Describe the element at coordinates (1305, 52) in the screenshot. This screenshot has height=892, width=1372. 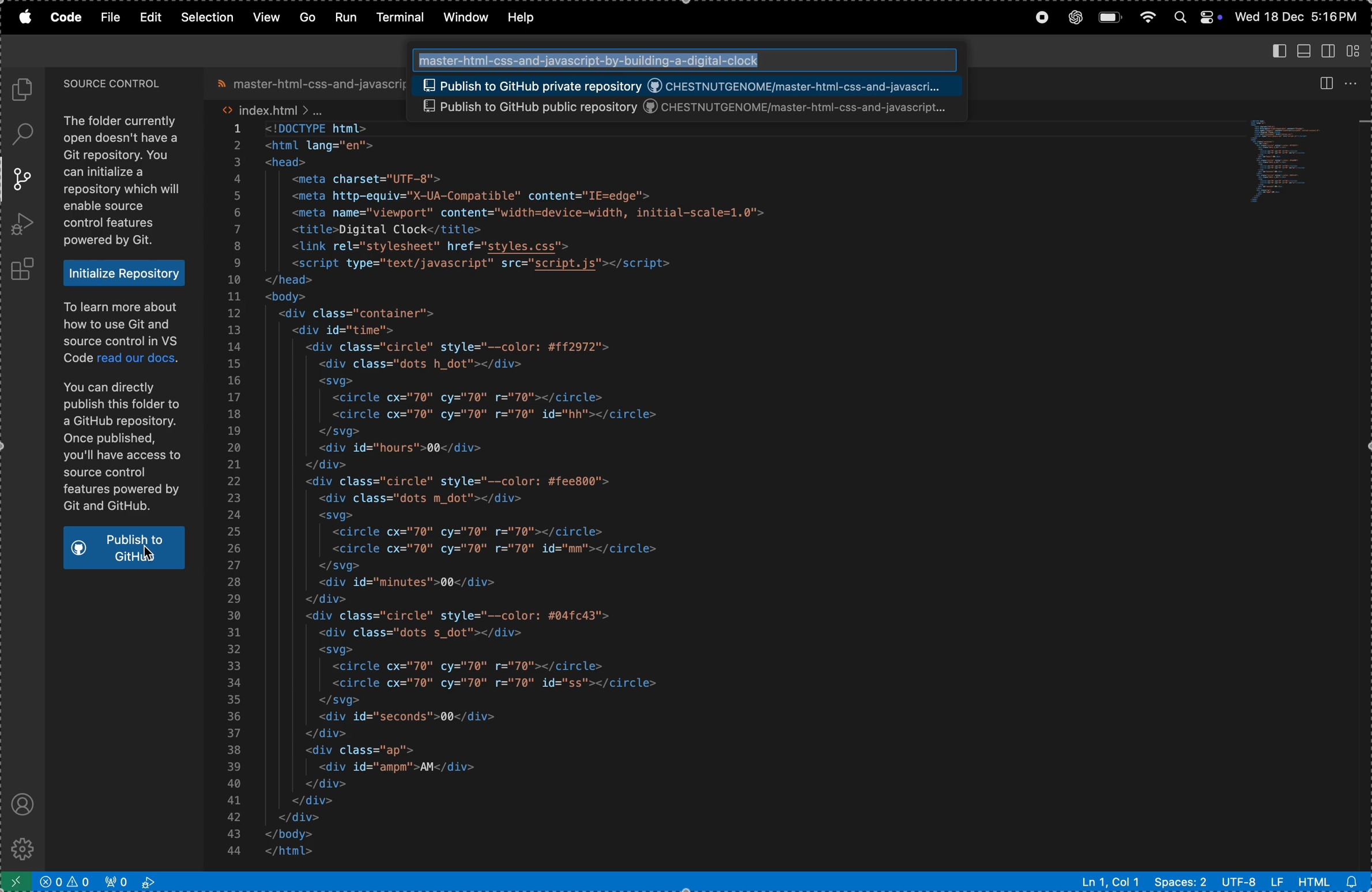
I see `toggle panel` at that location.